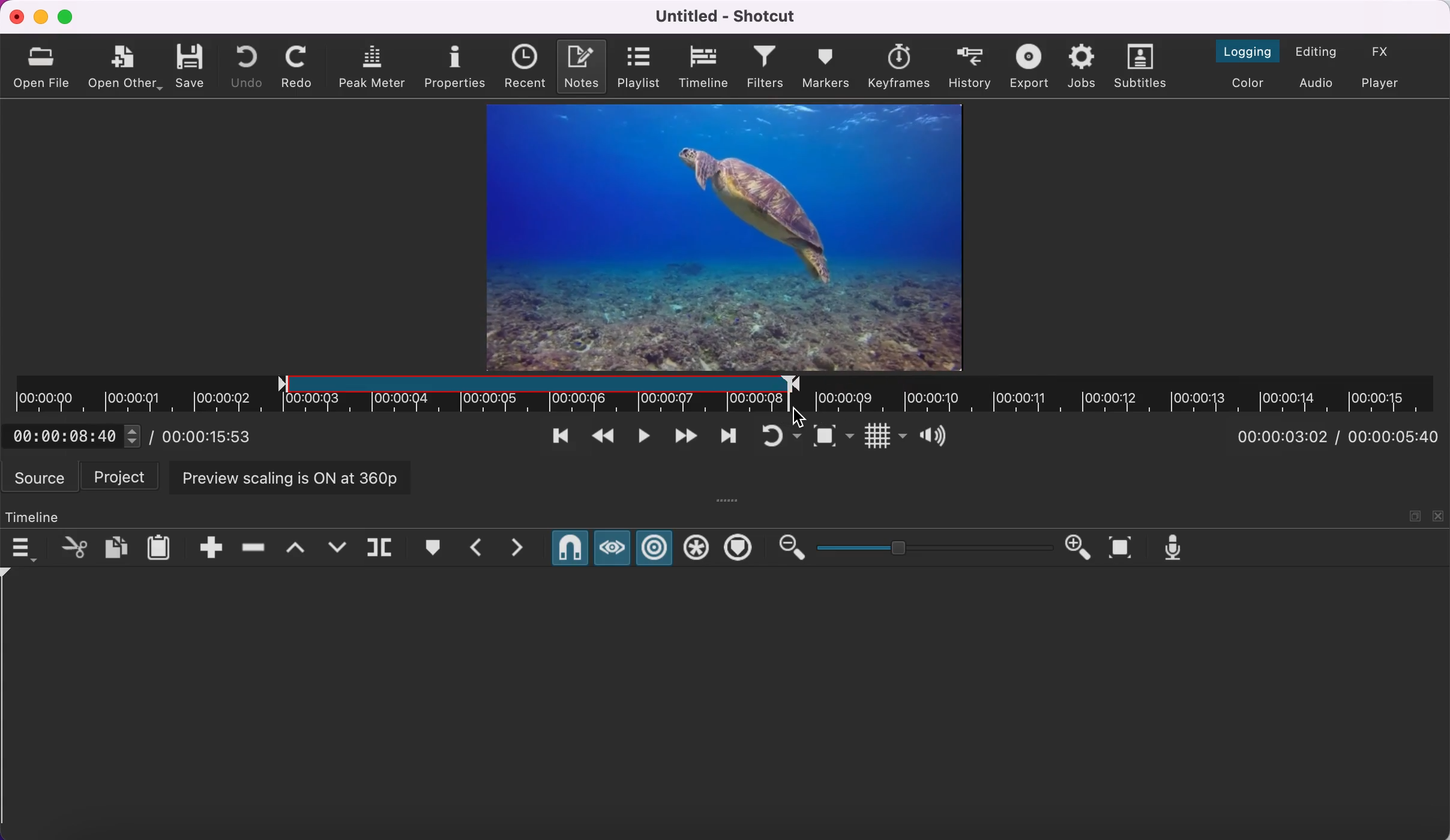 This screenshot has height=840, width=1450. Describe the element at coordinates (293, 548) in the screenshot. I see `lift` at that location.